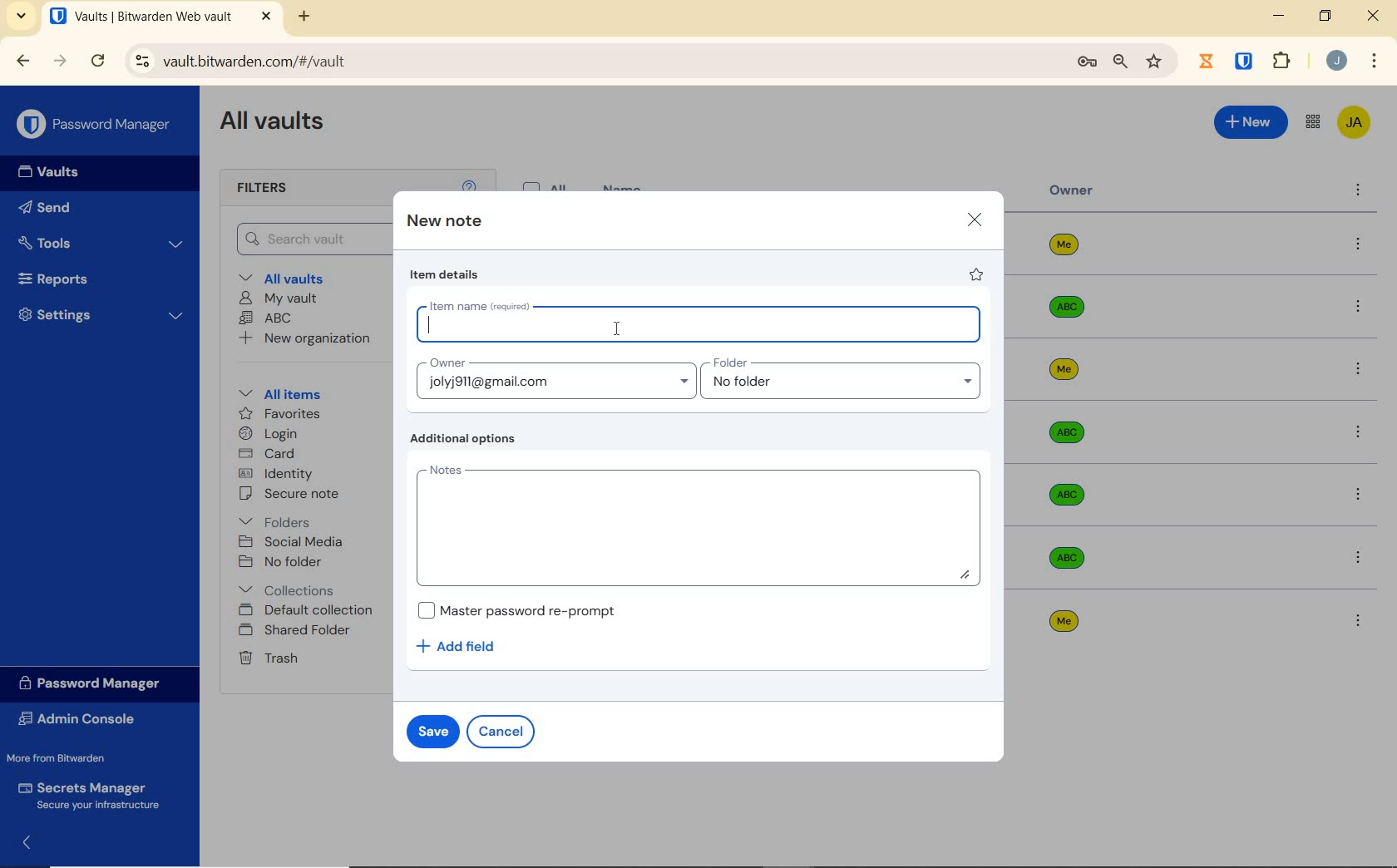 The image size is (1397, 868). I want to click on Owner Name, so click(1064, 433).